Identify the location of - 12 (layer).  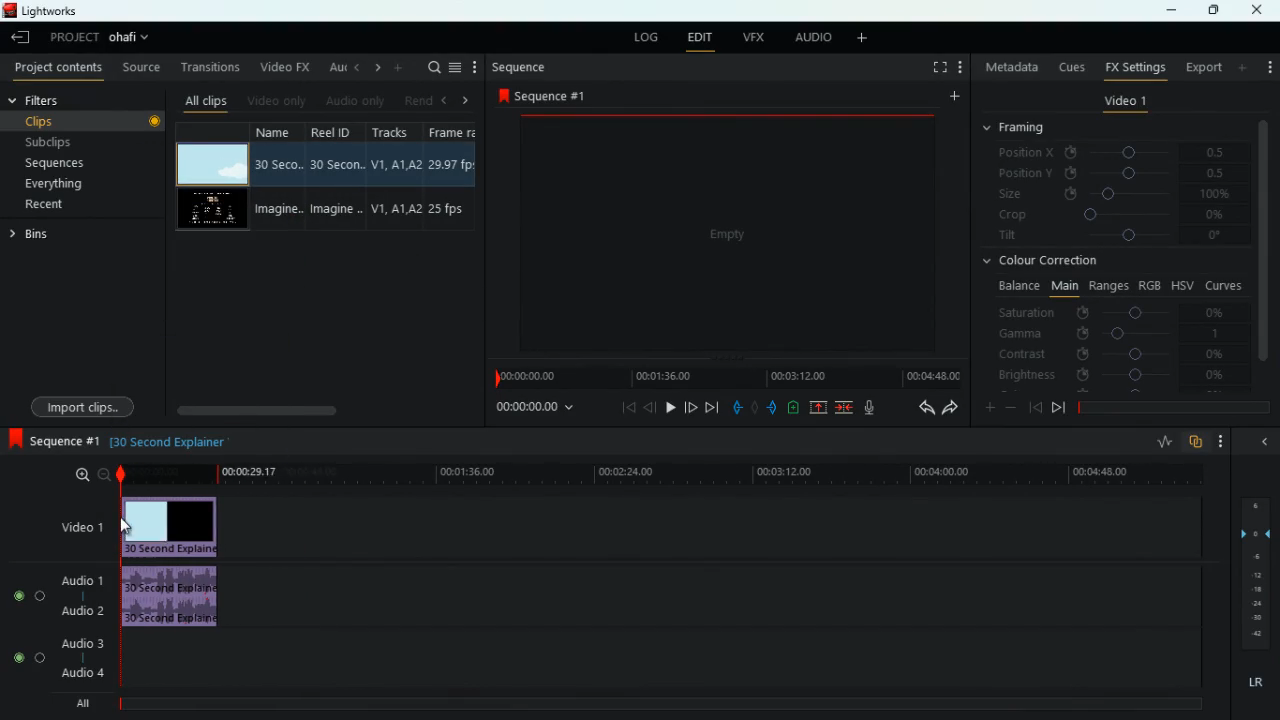
(1258, 574).